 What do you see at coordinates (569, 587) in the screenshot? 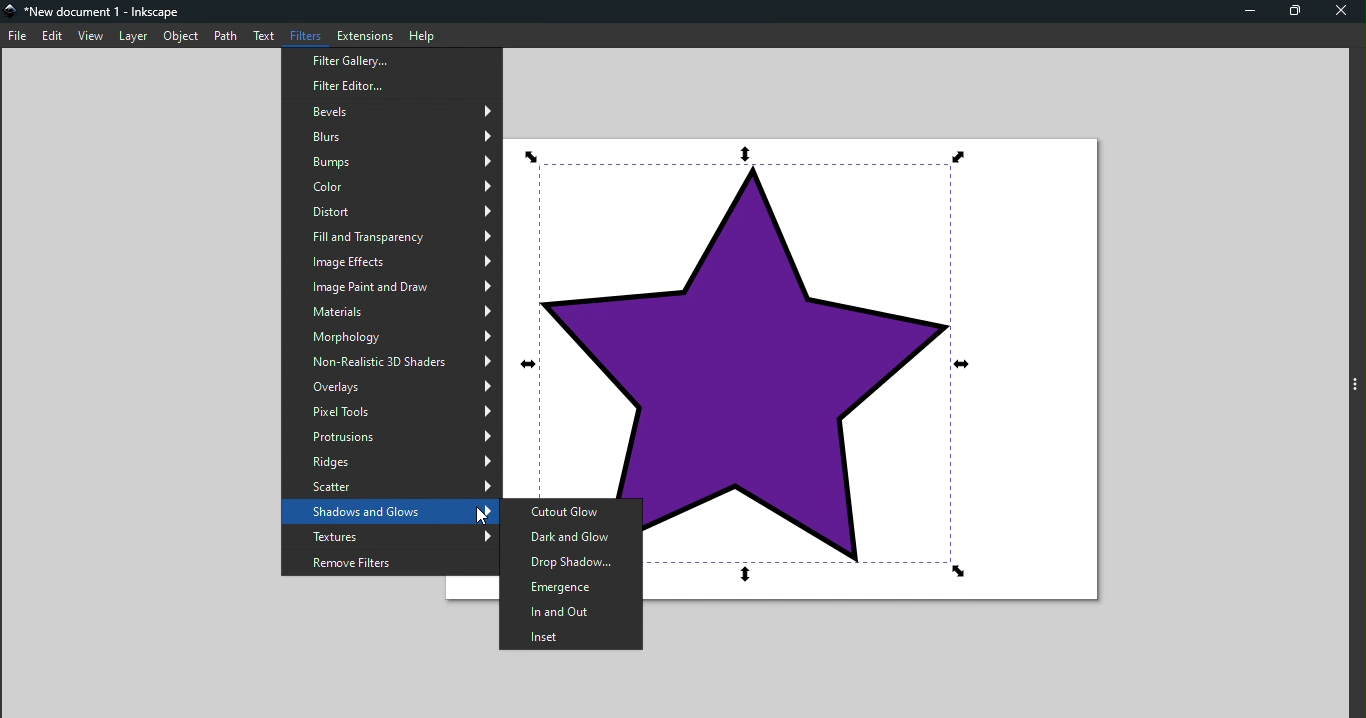
I see `Emergence` at bounding box center [569, 587].